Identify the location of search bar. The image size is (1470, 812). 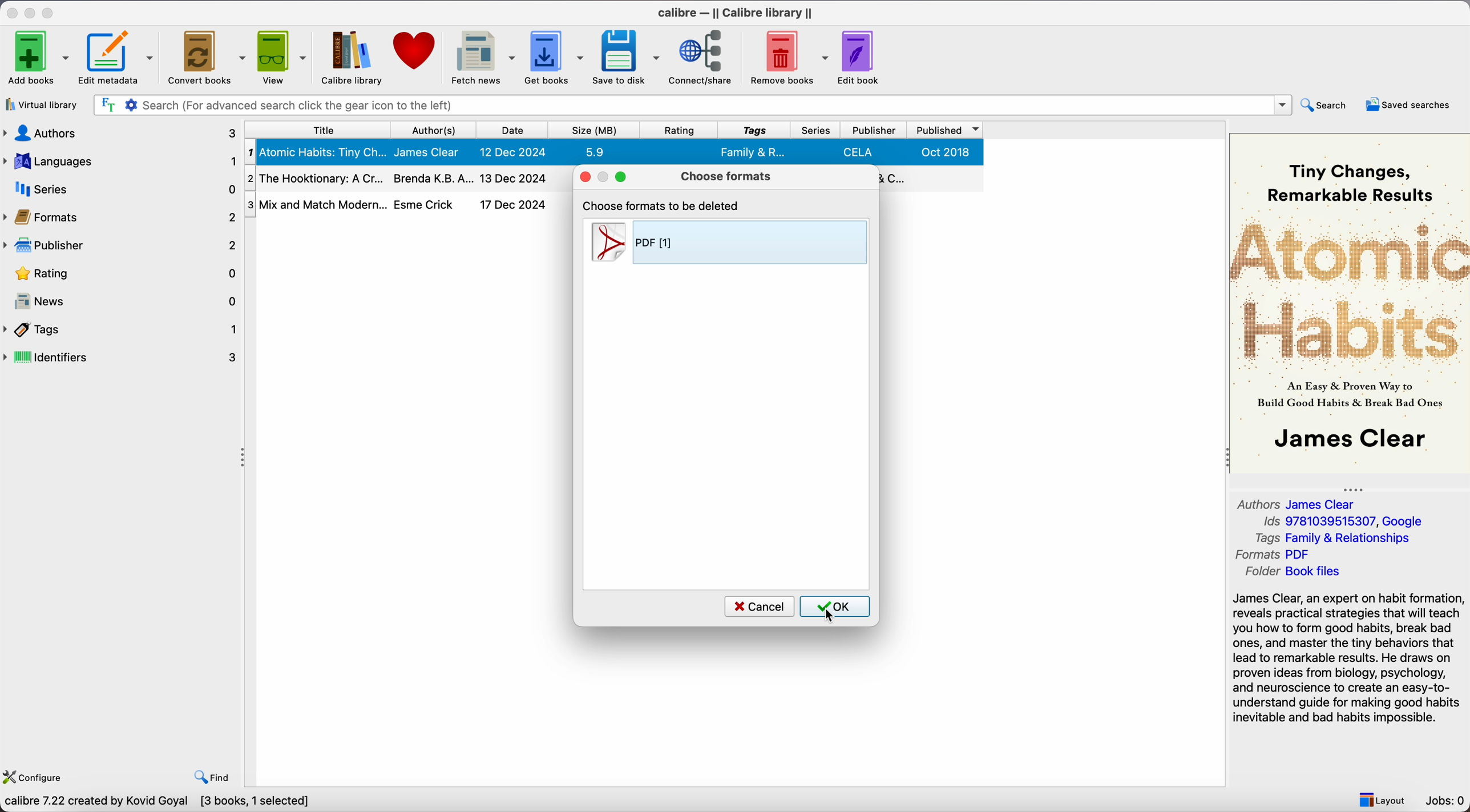
(694, 104).